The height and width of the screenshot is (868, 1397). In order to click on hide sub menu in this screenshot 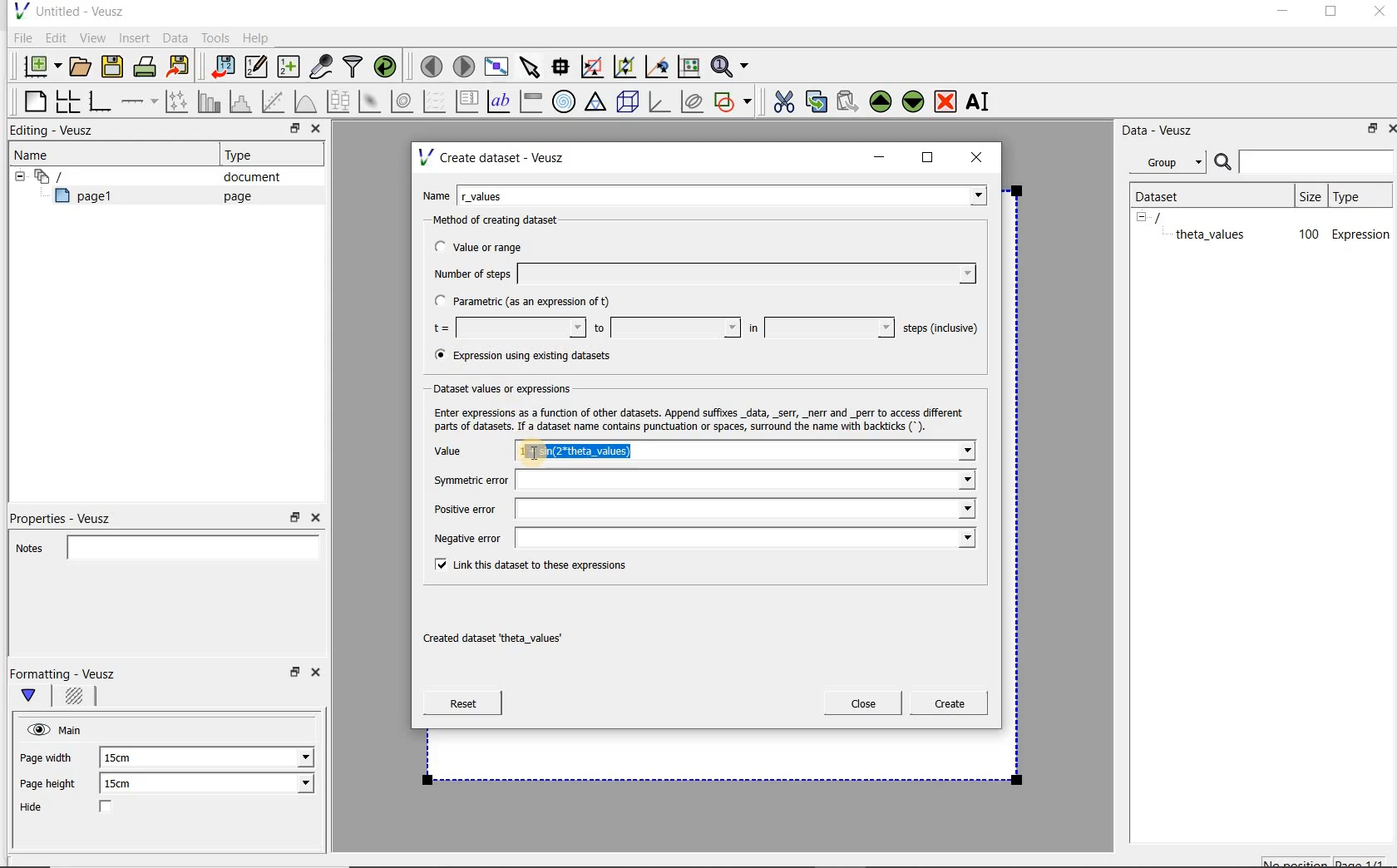, I will do `click(1142, 216)`.